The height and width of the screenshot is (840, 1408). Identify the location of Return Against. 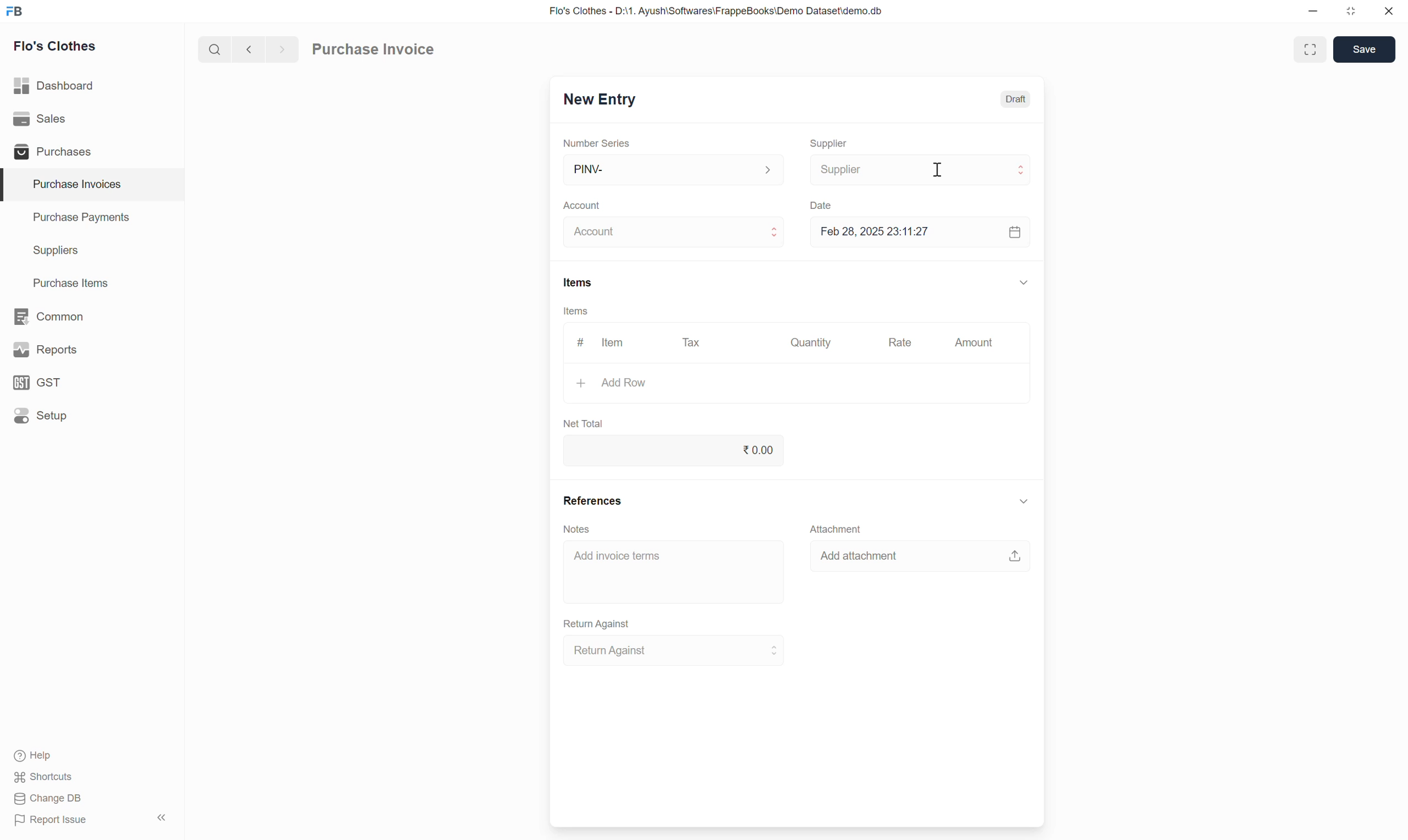
(674, 650).